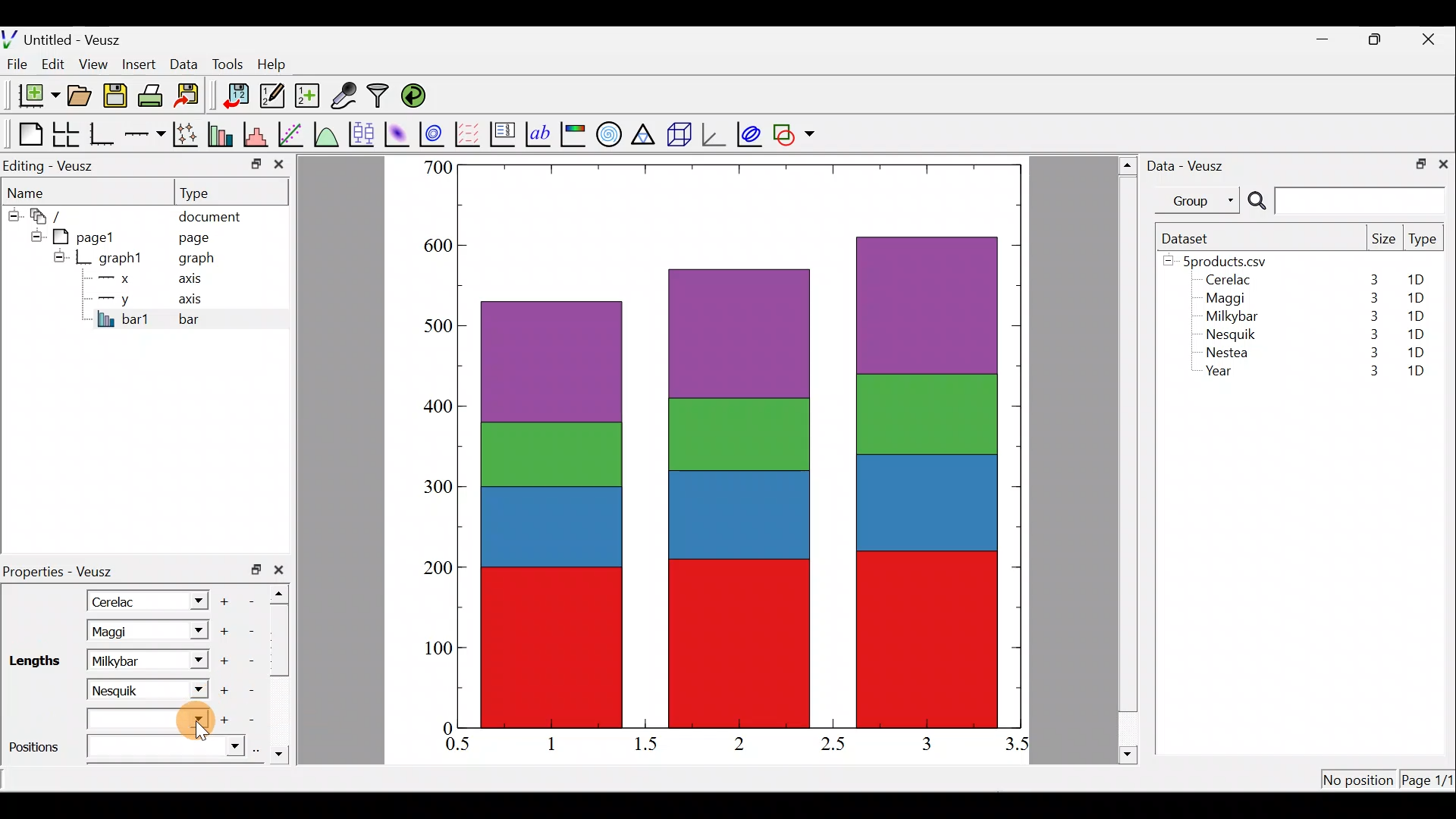 Image resolution: width=1456 pixels, height=819 pixels. I want to click on 3, so click(1373, 279).